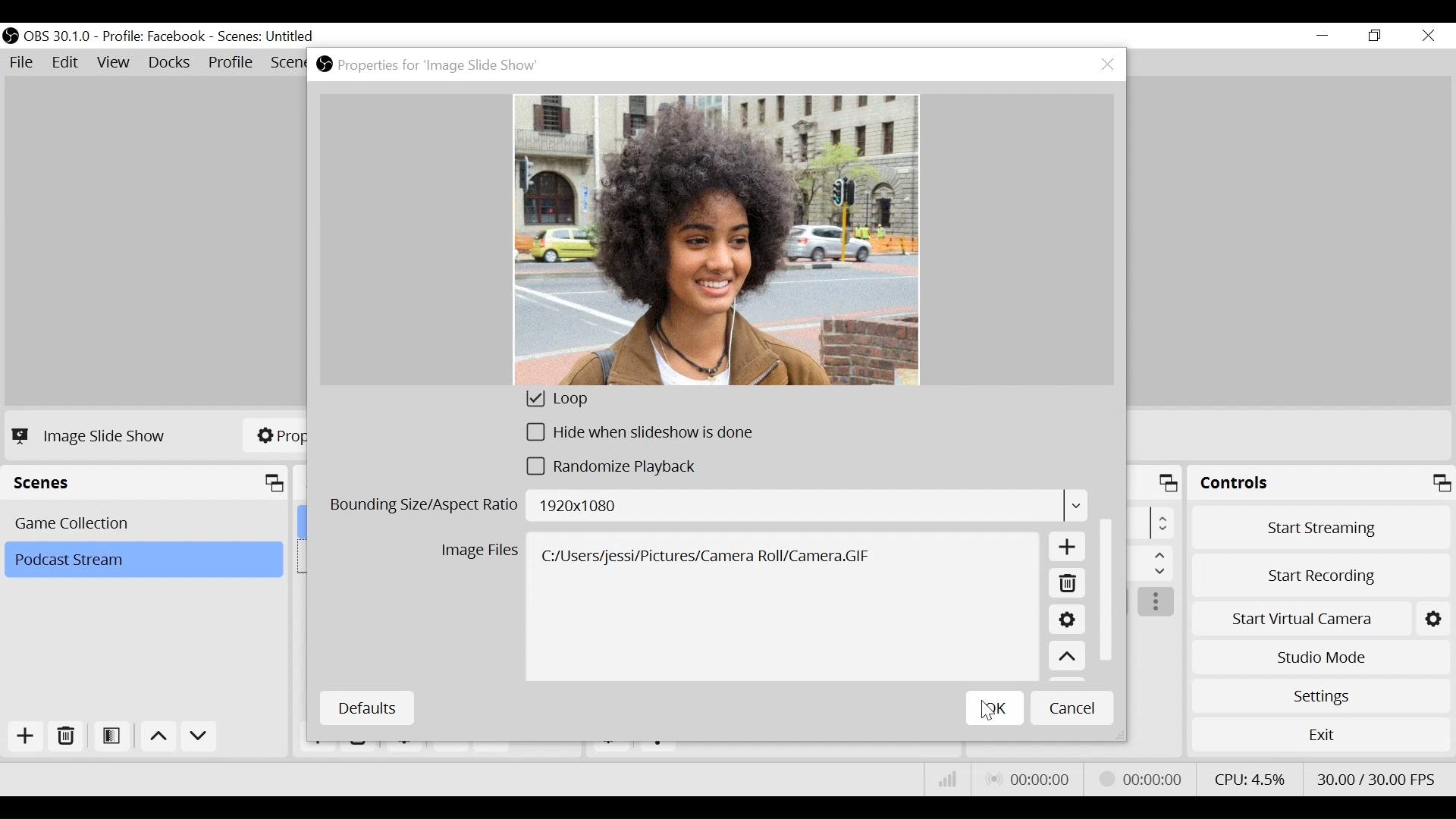 The width and height of the screenshot is (1456, 819). Describe the element at coordinates (1323, 571) in the screenshot. I see `Start Recording` at that location.